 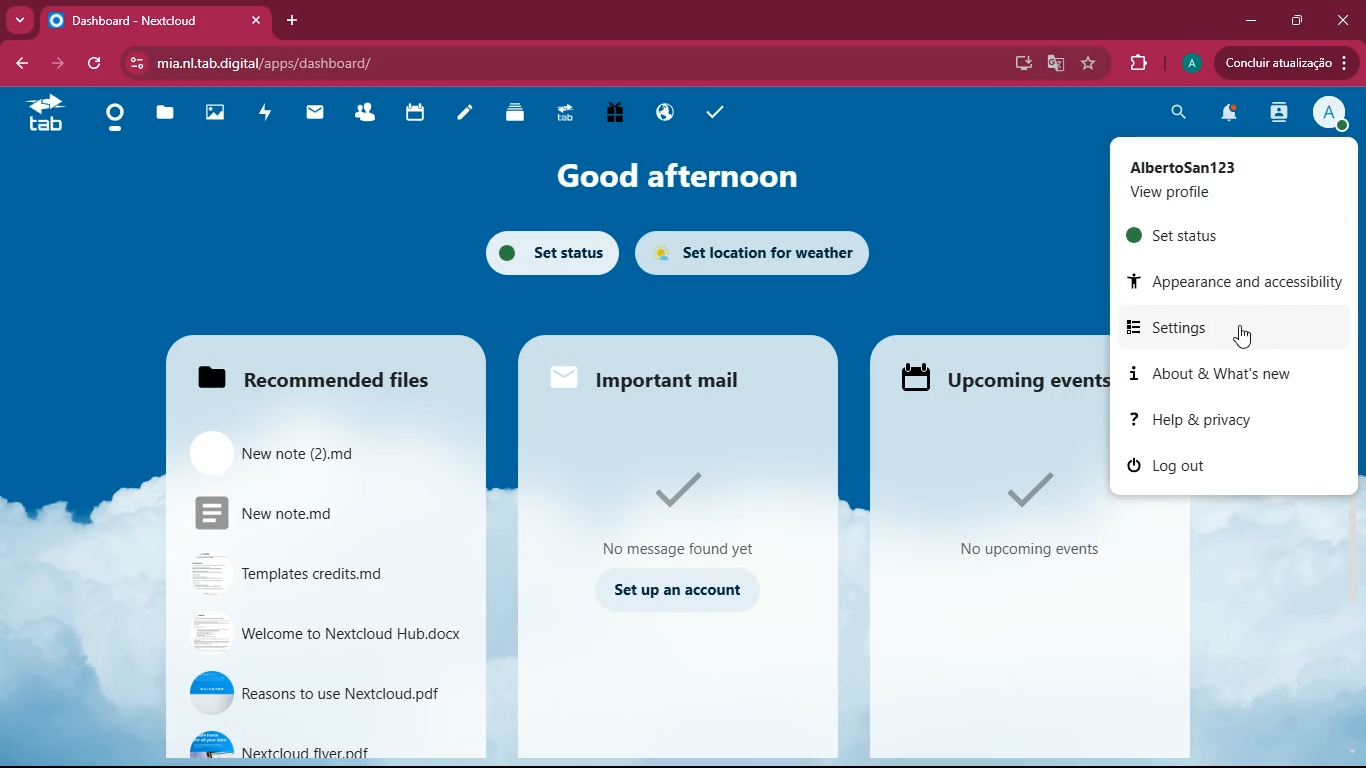 I want to click on home, so click(x=115, y=121).